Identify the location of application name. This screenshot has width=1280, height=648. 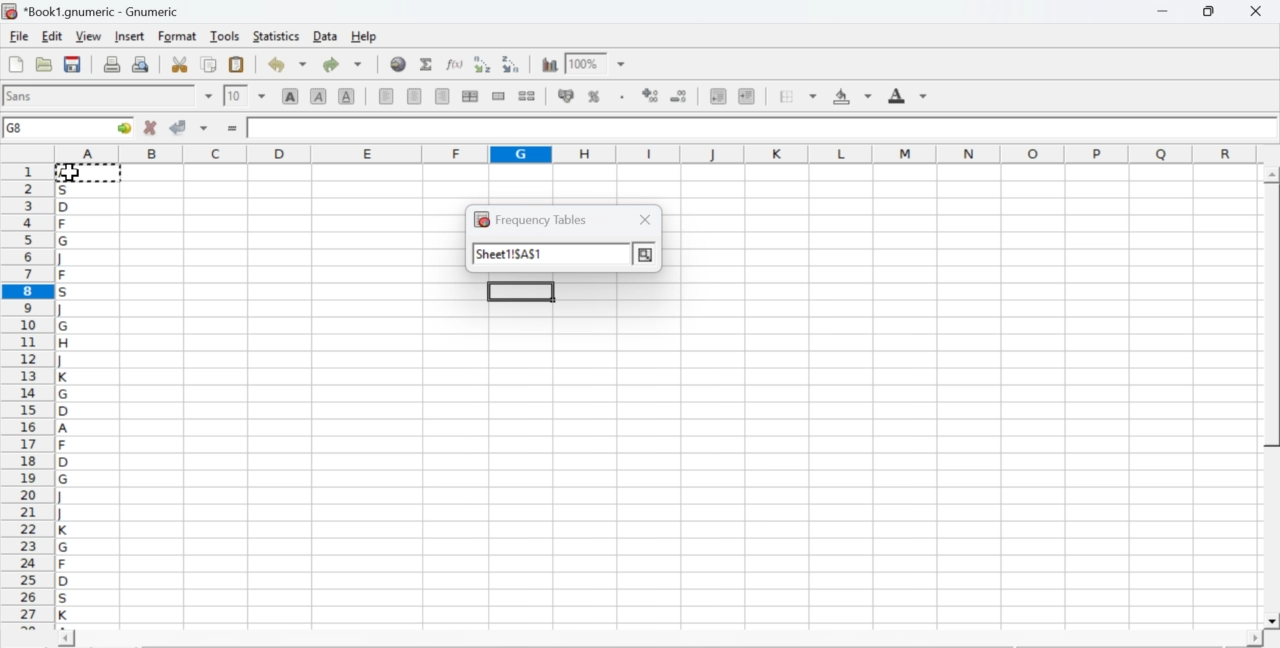
(94, 9).